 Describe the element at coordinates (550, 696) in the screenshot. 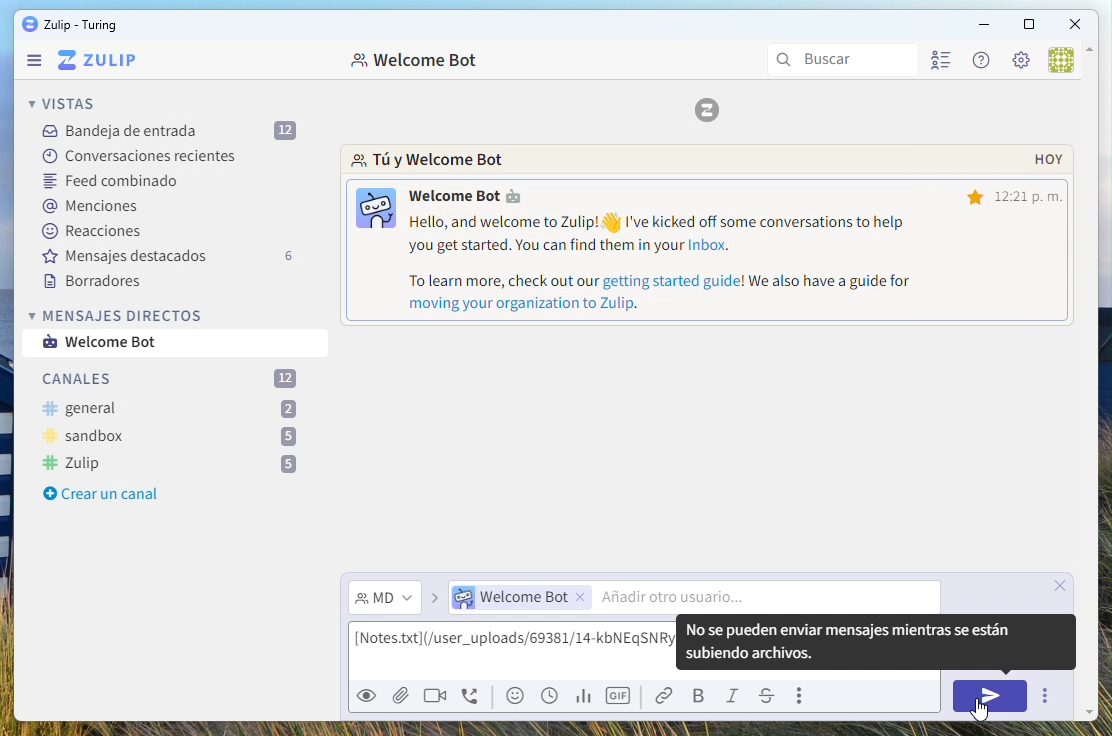

I see `schedule` at that location.